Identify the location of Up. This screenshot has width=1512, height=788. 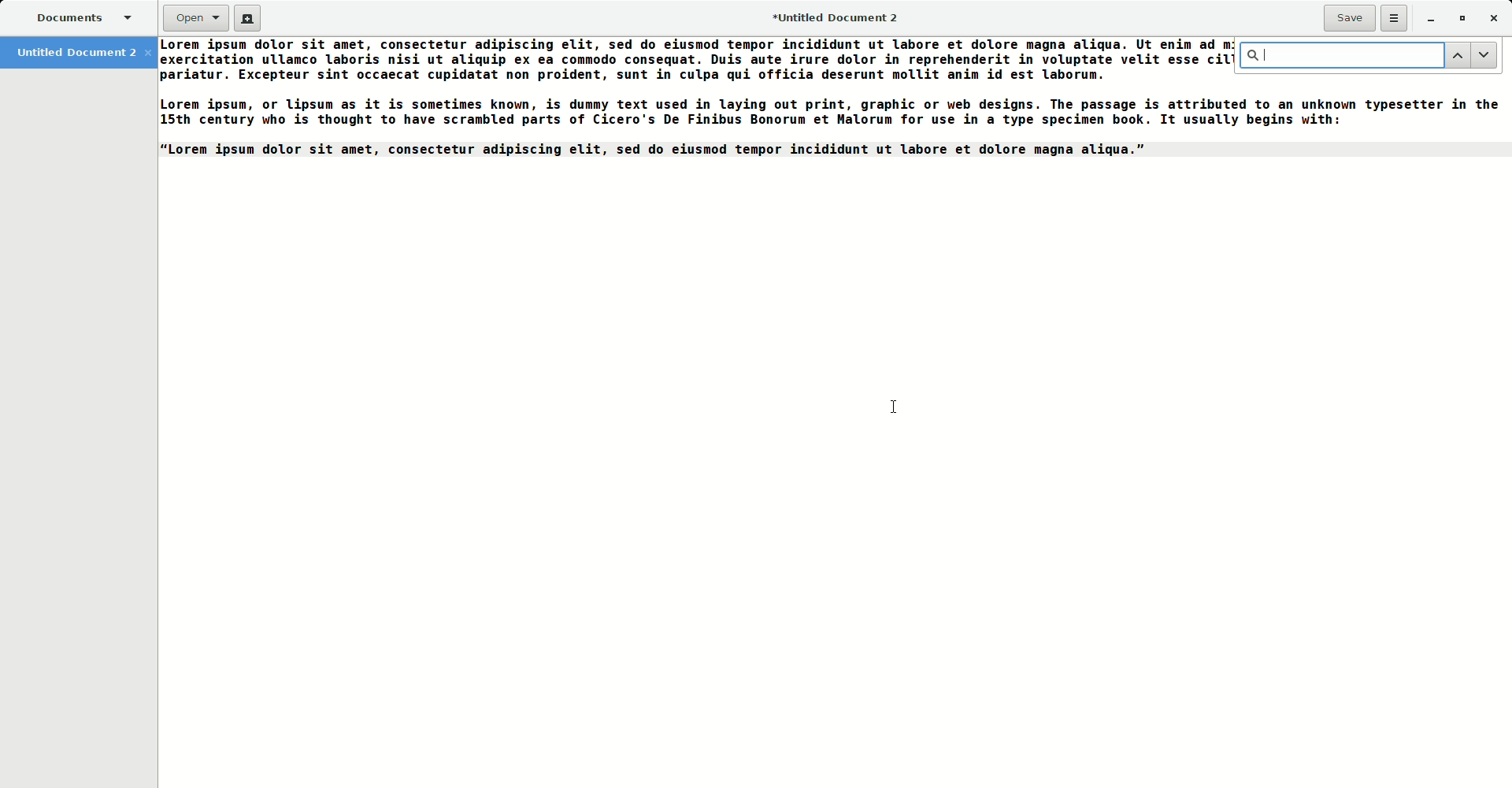
(1457, 55).